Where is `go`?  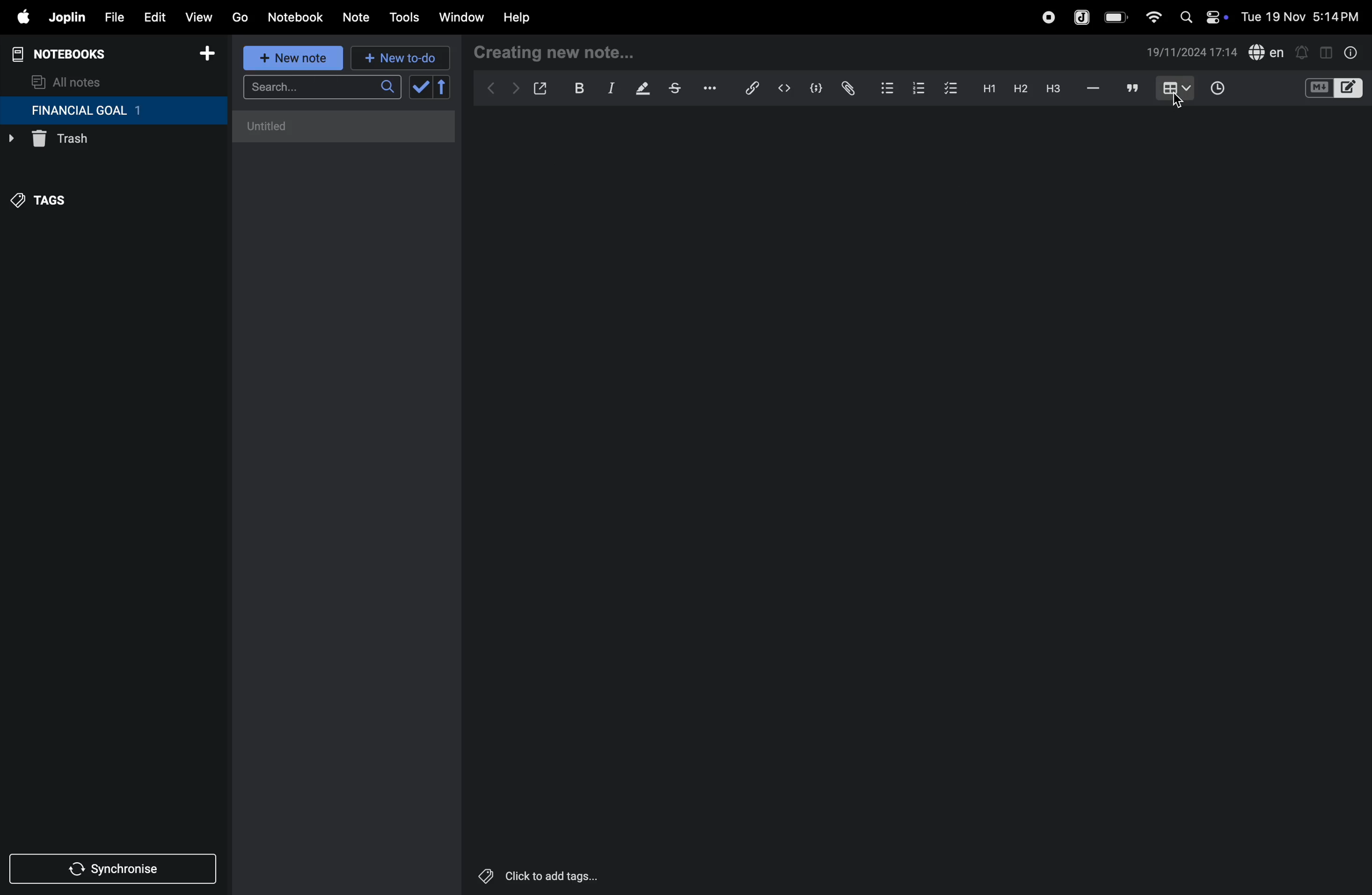
go is located at coordinates (240, 16).